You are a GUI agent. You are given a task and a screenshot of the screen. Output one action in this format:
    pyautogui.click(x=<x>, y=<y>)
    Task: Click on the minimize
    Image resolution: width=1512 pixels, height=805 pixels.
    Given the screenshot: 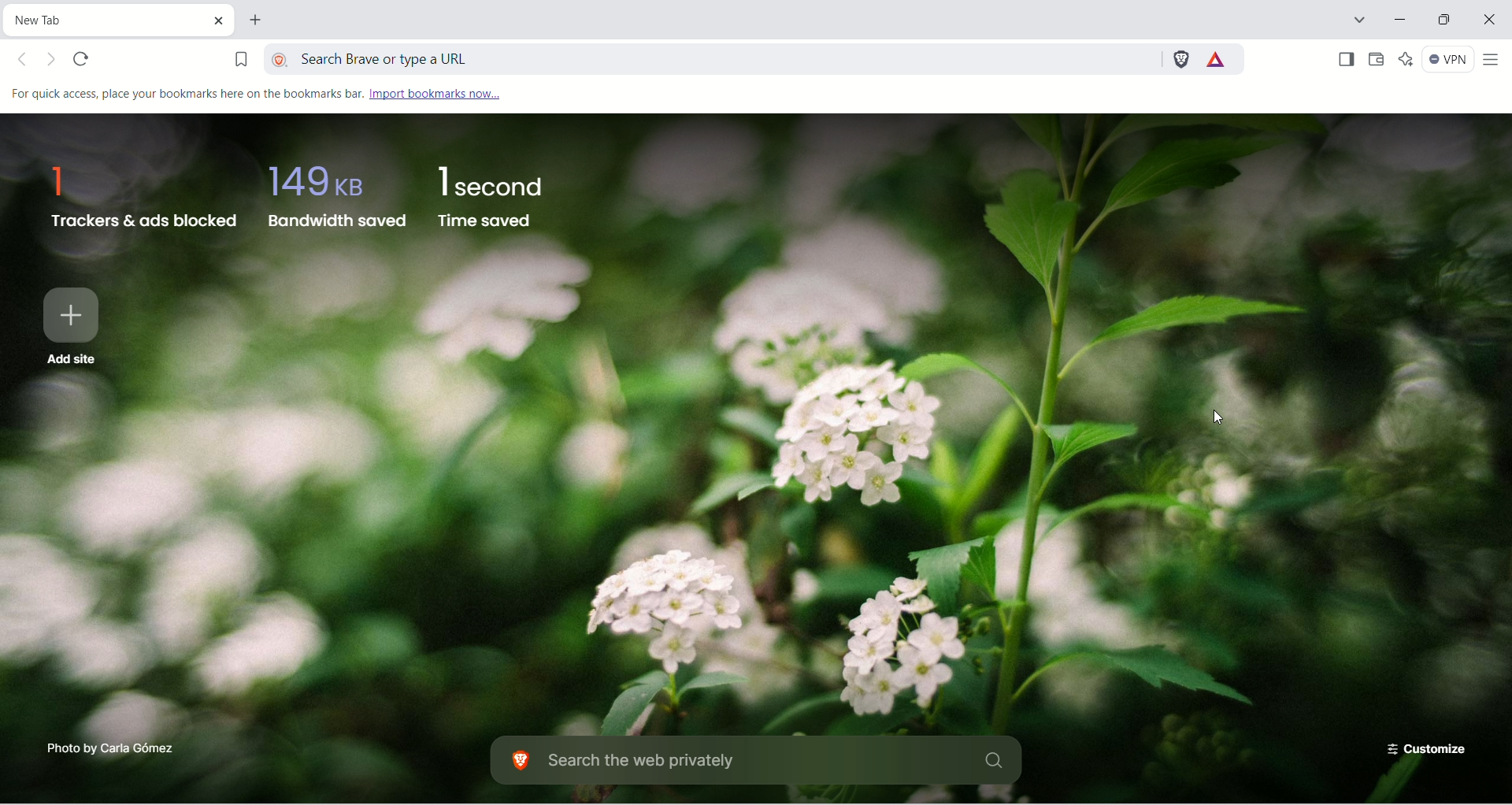 What is the action you would take?
    pyautogui.click(x=1402, y=20)
    